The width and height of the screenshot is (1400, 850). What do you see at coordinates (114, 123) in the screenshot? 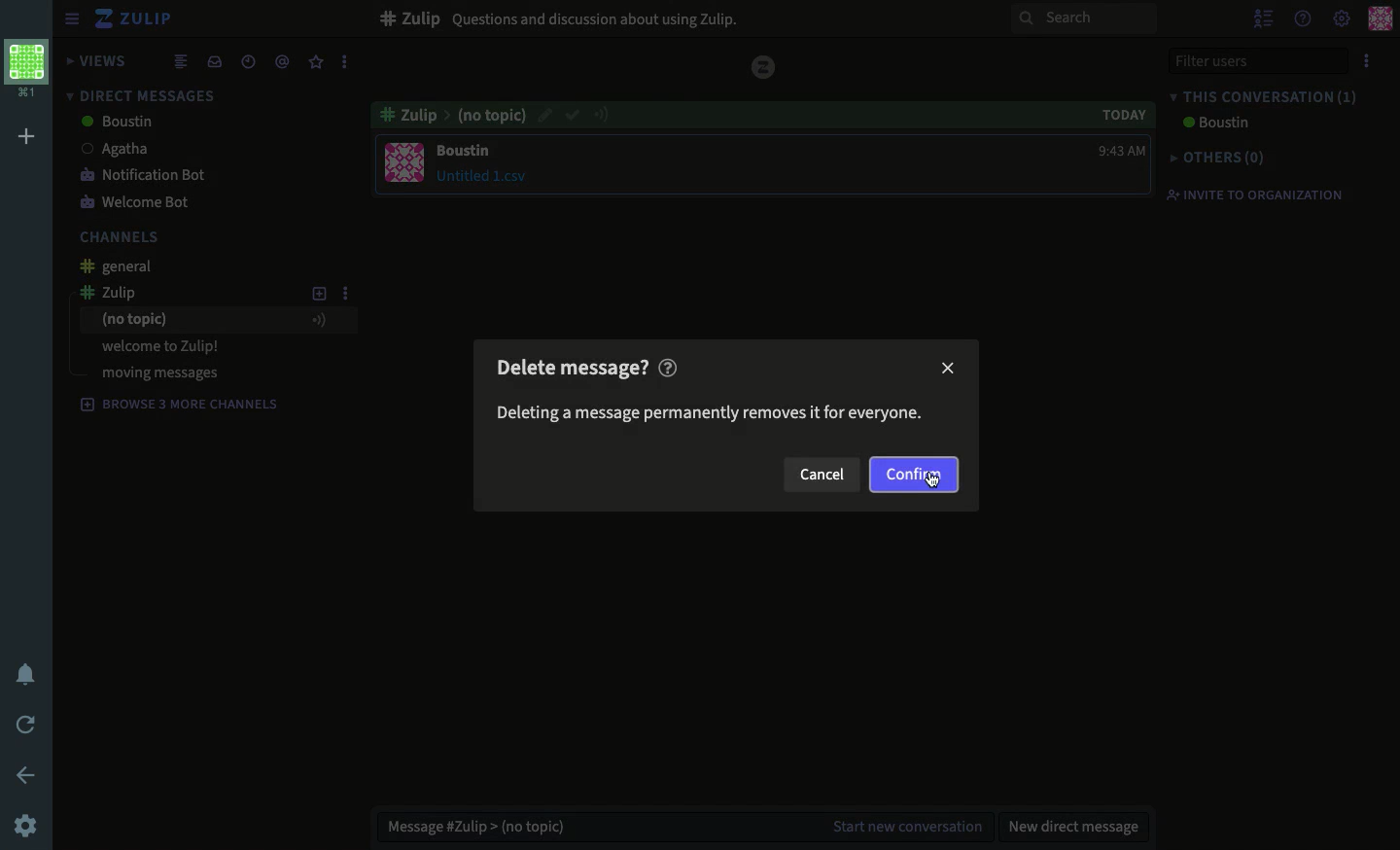
I see `Boustin` at bounding box center [114, 123].